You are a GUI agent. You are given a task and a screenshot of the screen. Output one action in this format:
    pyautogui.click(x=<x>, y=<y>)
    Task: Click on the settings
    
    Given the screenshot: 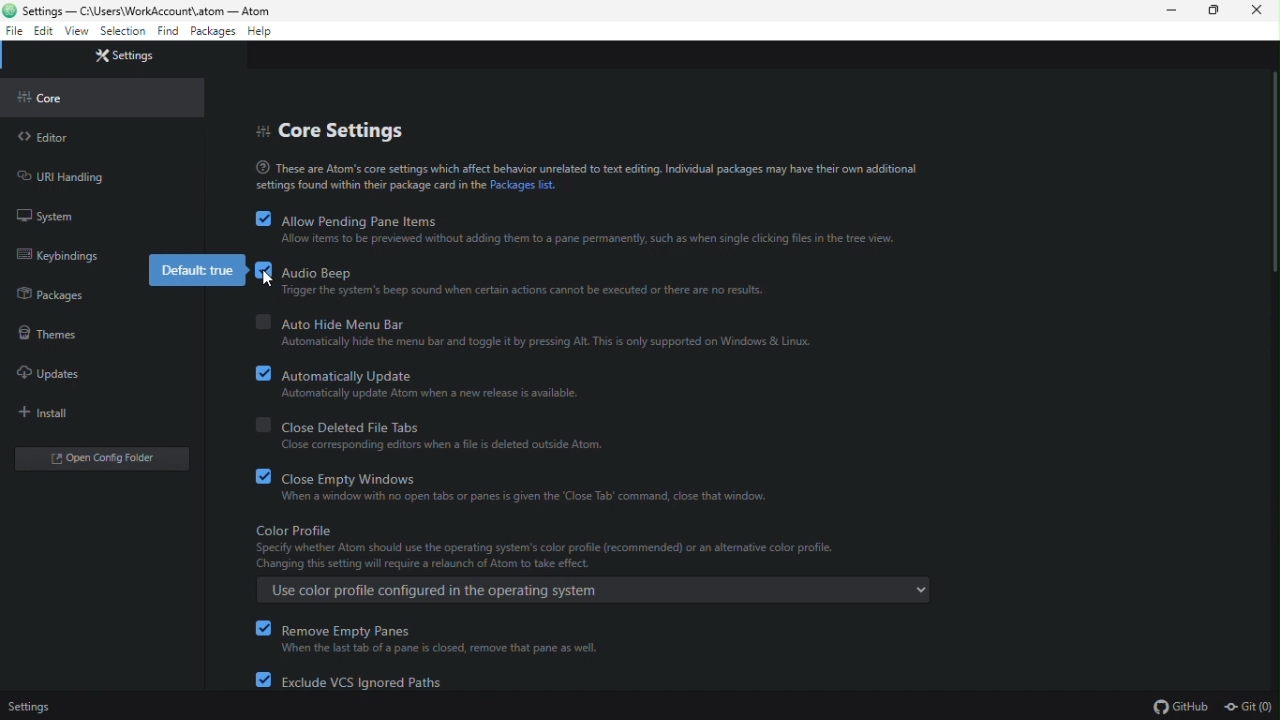 What is the action you would take?
    pyautogui.click(x=36, y=701)
    